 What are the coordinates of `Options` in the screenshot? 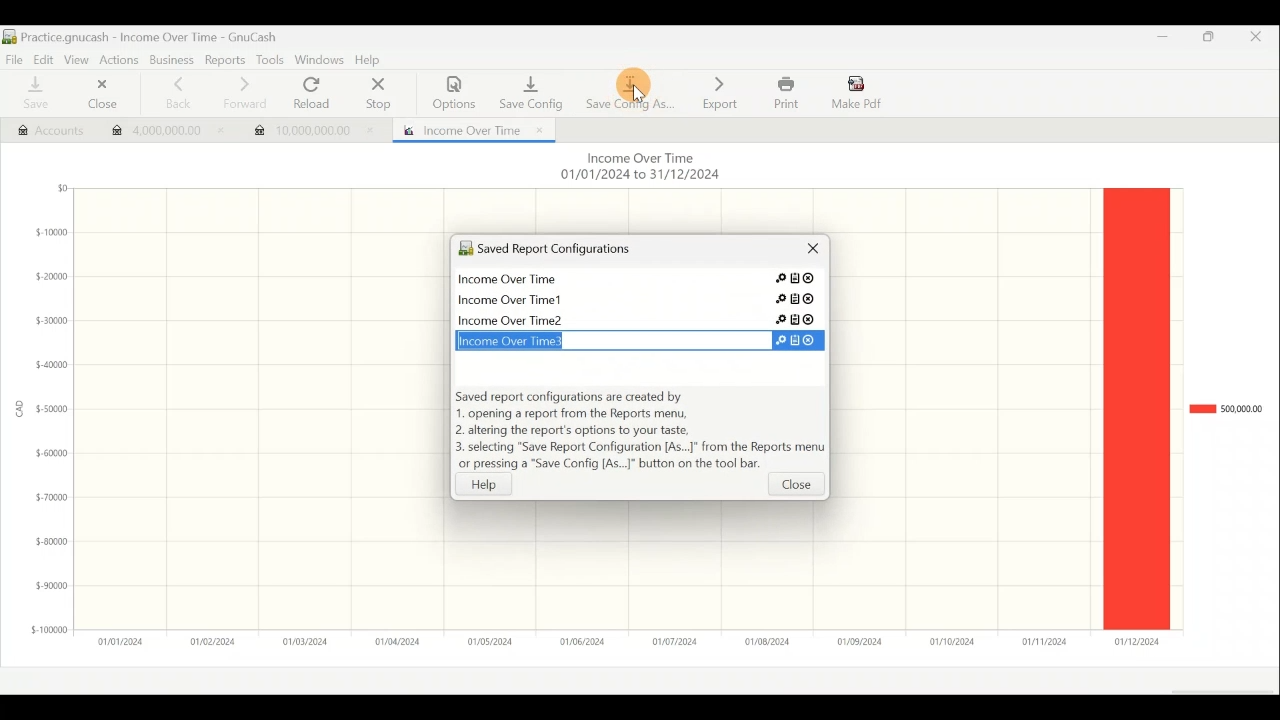 It's located at (455, 93).